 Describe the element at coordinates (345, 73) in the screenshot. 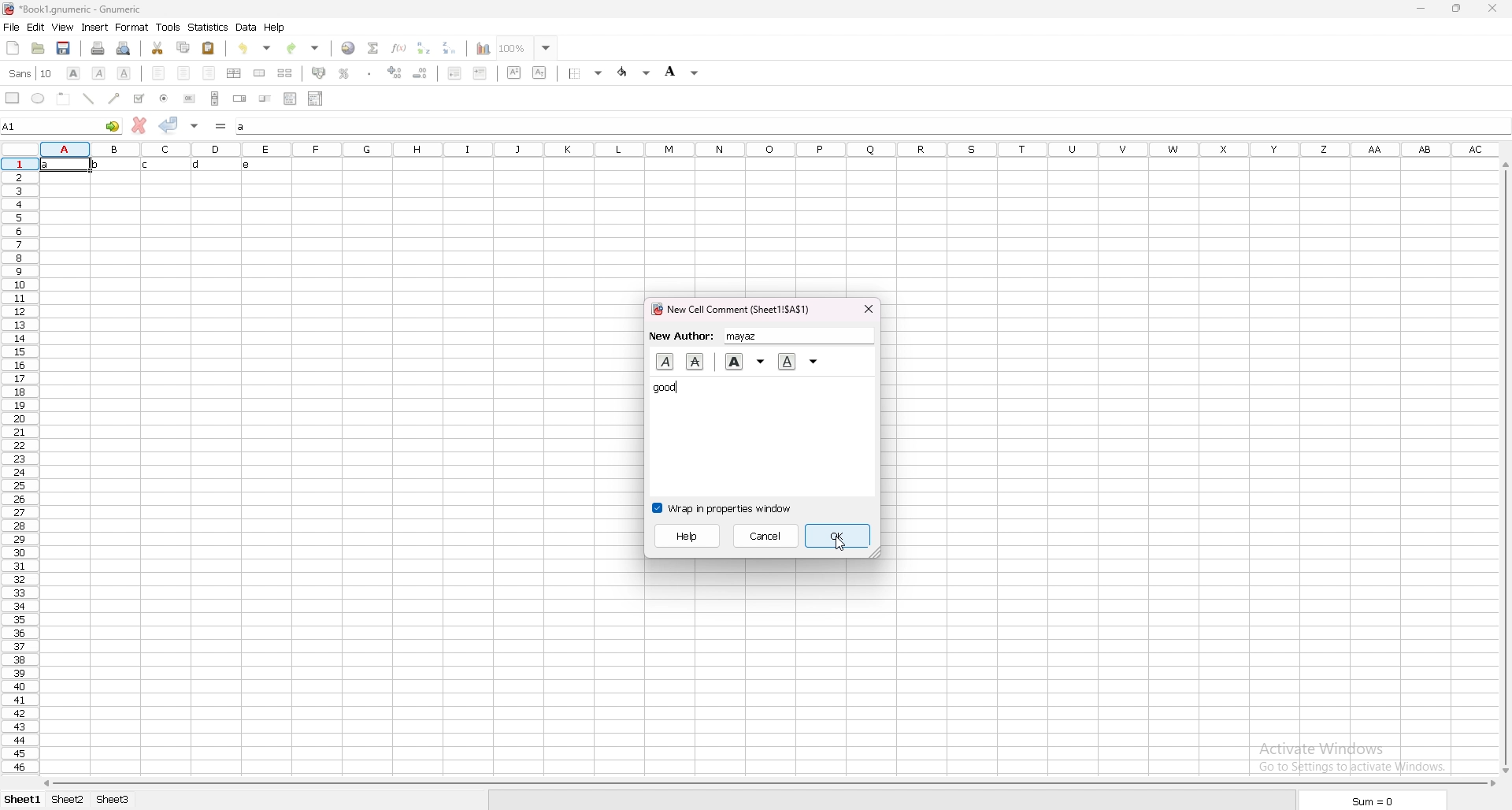

I see `percentage` at that location.